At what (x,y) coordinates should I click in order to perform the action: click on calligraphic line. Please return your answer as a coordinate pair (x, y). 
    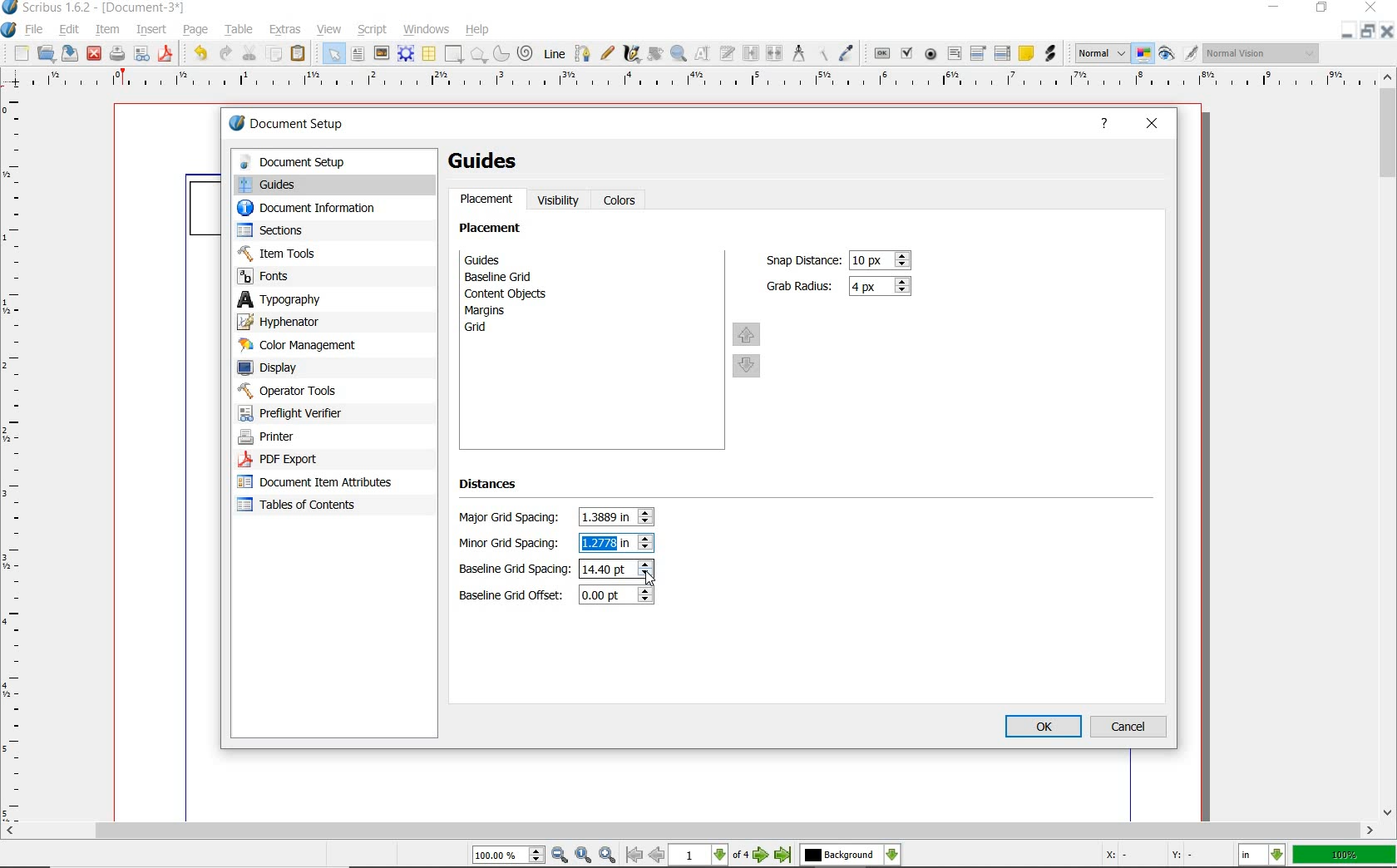
    Looking at the image, I should click on (634, 54).